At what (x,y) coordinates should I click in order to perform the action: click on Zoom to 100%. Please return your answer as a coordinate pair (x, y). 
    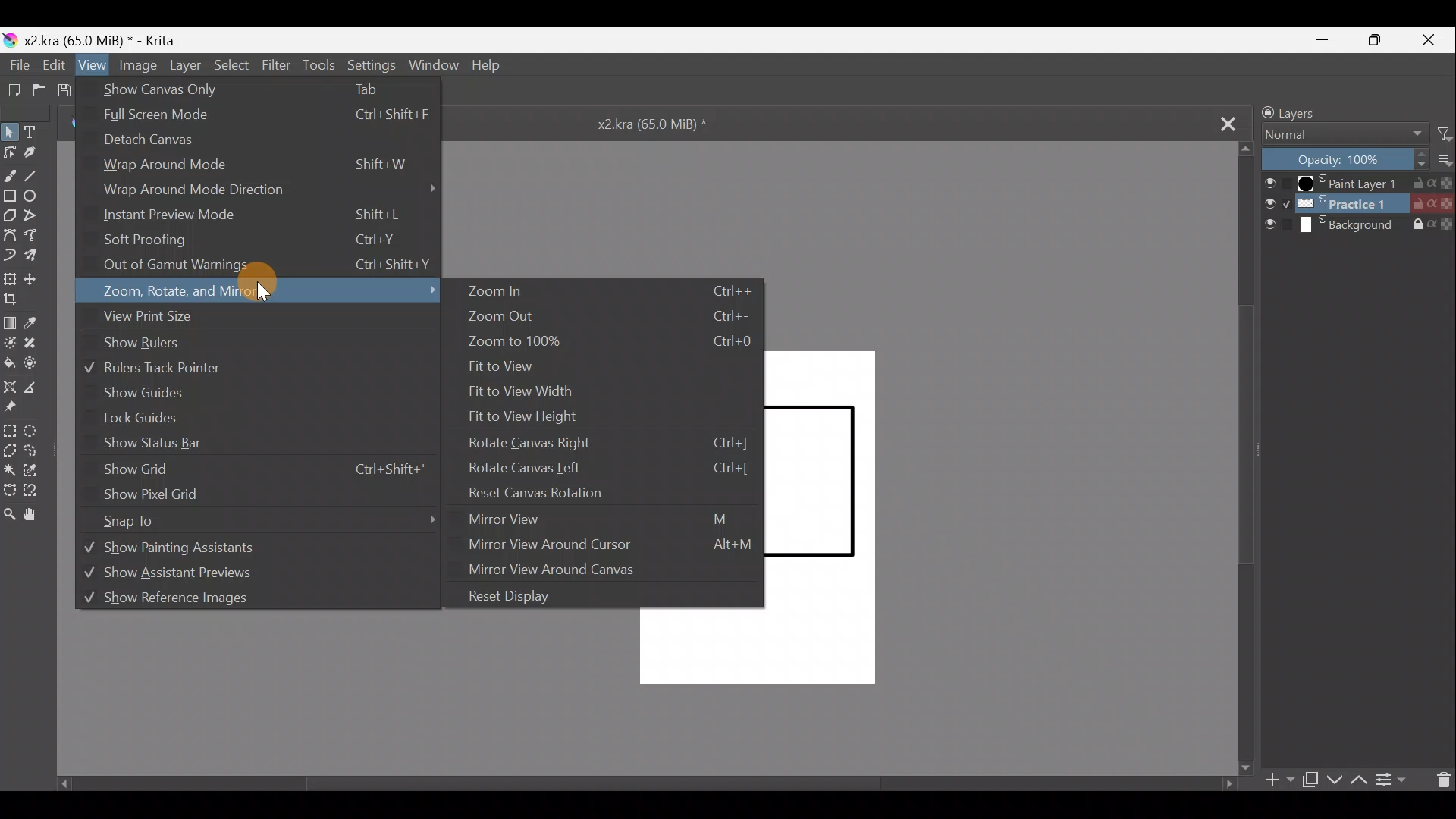
    Looking at the image, I should click on (604, 344).